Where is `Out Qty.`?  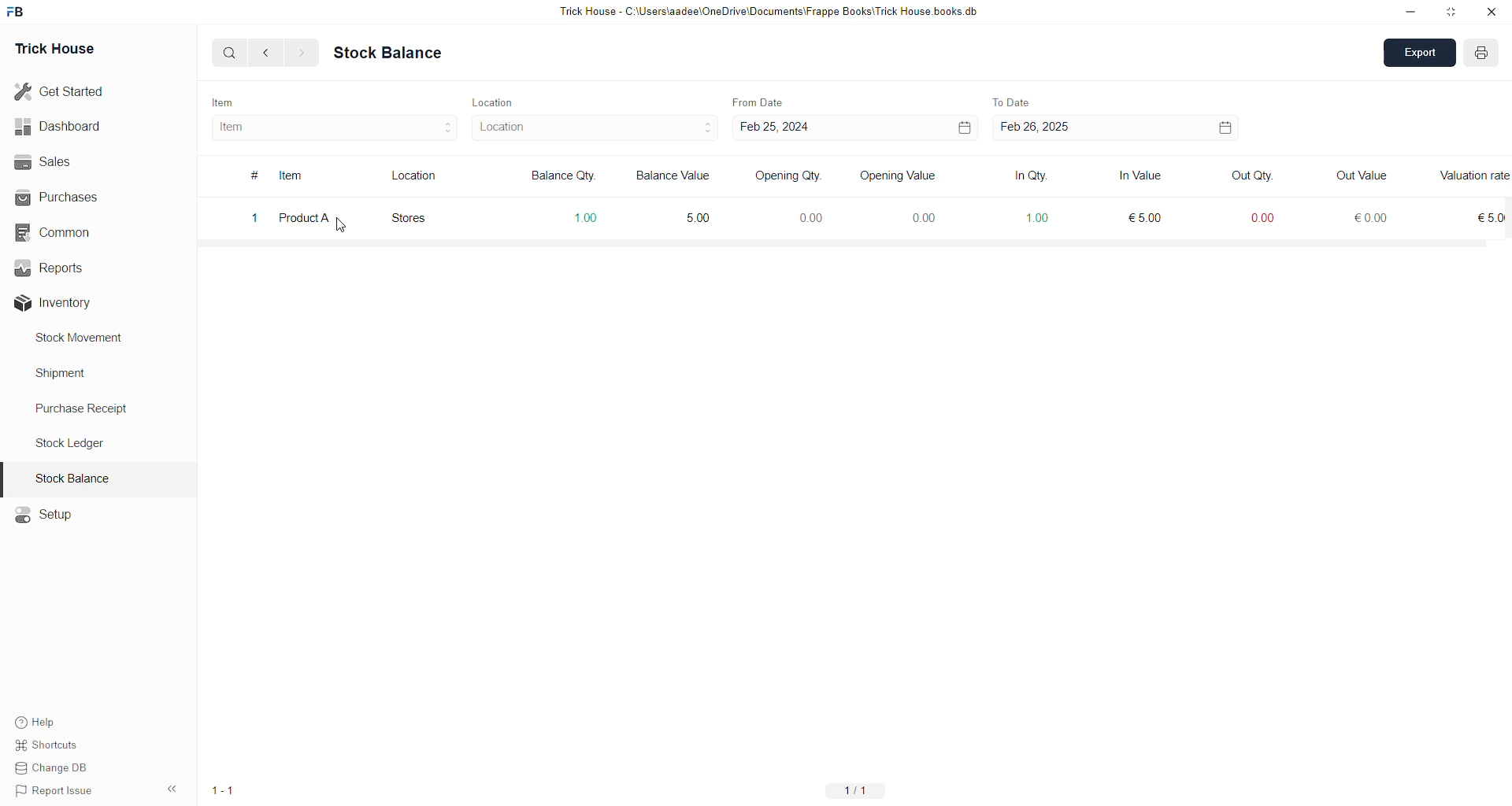
Out Qty. is located at coordinates (1254, 176).